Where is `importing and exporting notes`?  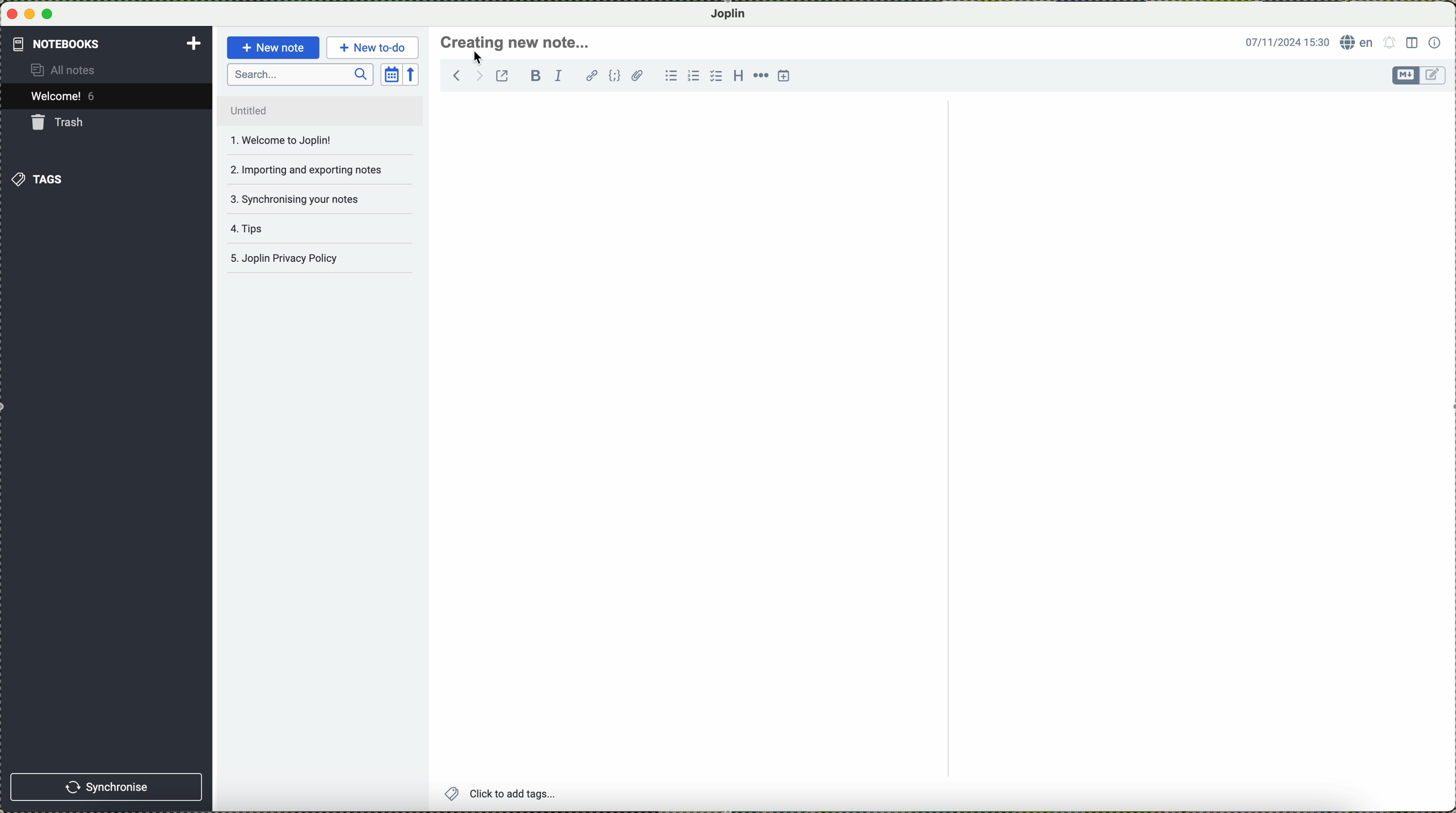
importing and exporting notes is located at coordinates (306, 168).